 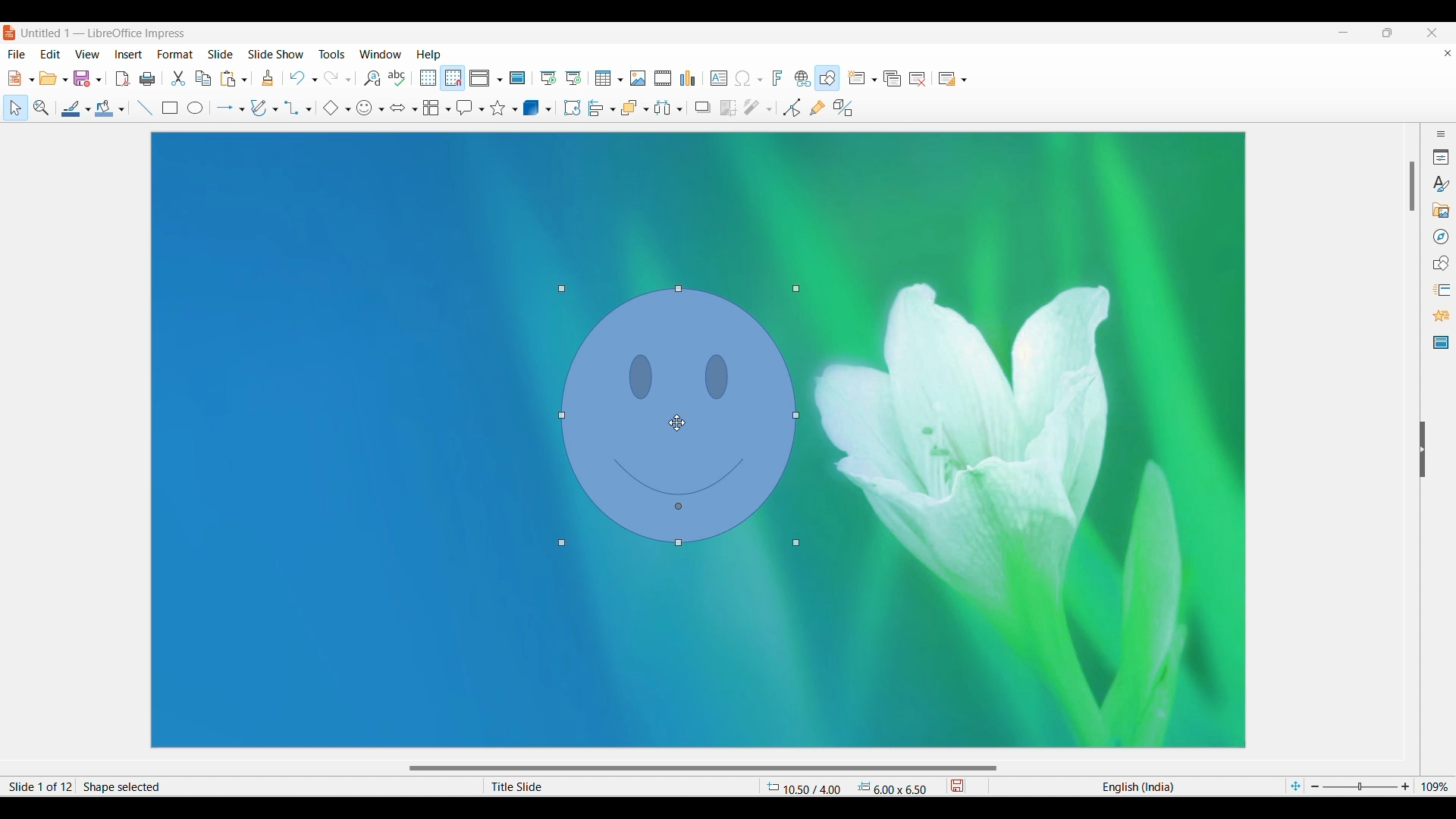 What do you see at coordinates (66, 80) in the screenshot?
I see `Open options` at bounding box center [66, 80].